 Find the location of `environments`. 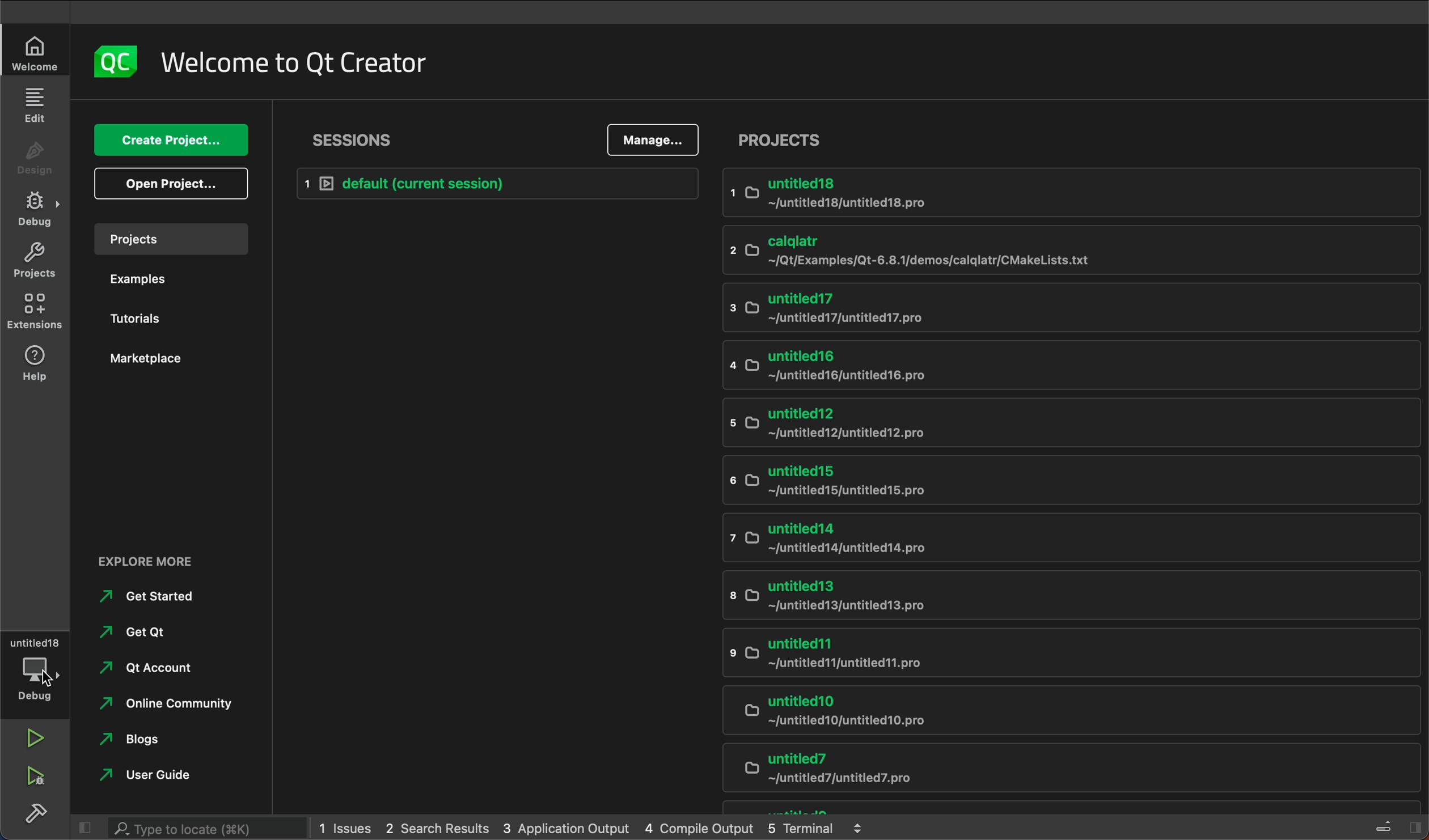

environments is located at coordinates (35, 313).